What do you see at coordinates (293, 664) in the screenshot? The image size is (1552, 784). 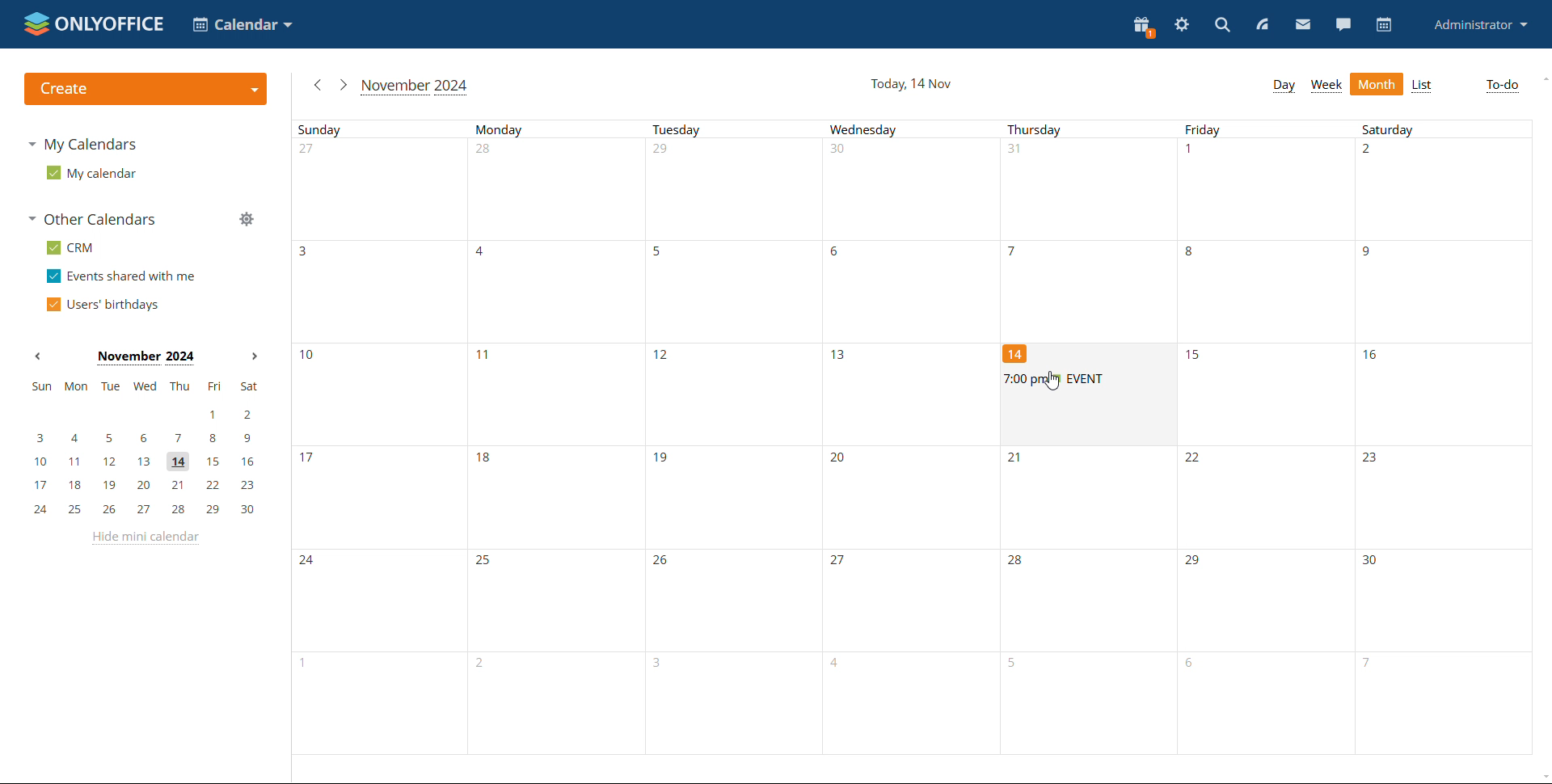 I see `number` at bounding box center [293, 664].